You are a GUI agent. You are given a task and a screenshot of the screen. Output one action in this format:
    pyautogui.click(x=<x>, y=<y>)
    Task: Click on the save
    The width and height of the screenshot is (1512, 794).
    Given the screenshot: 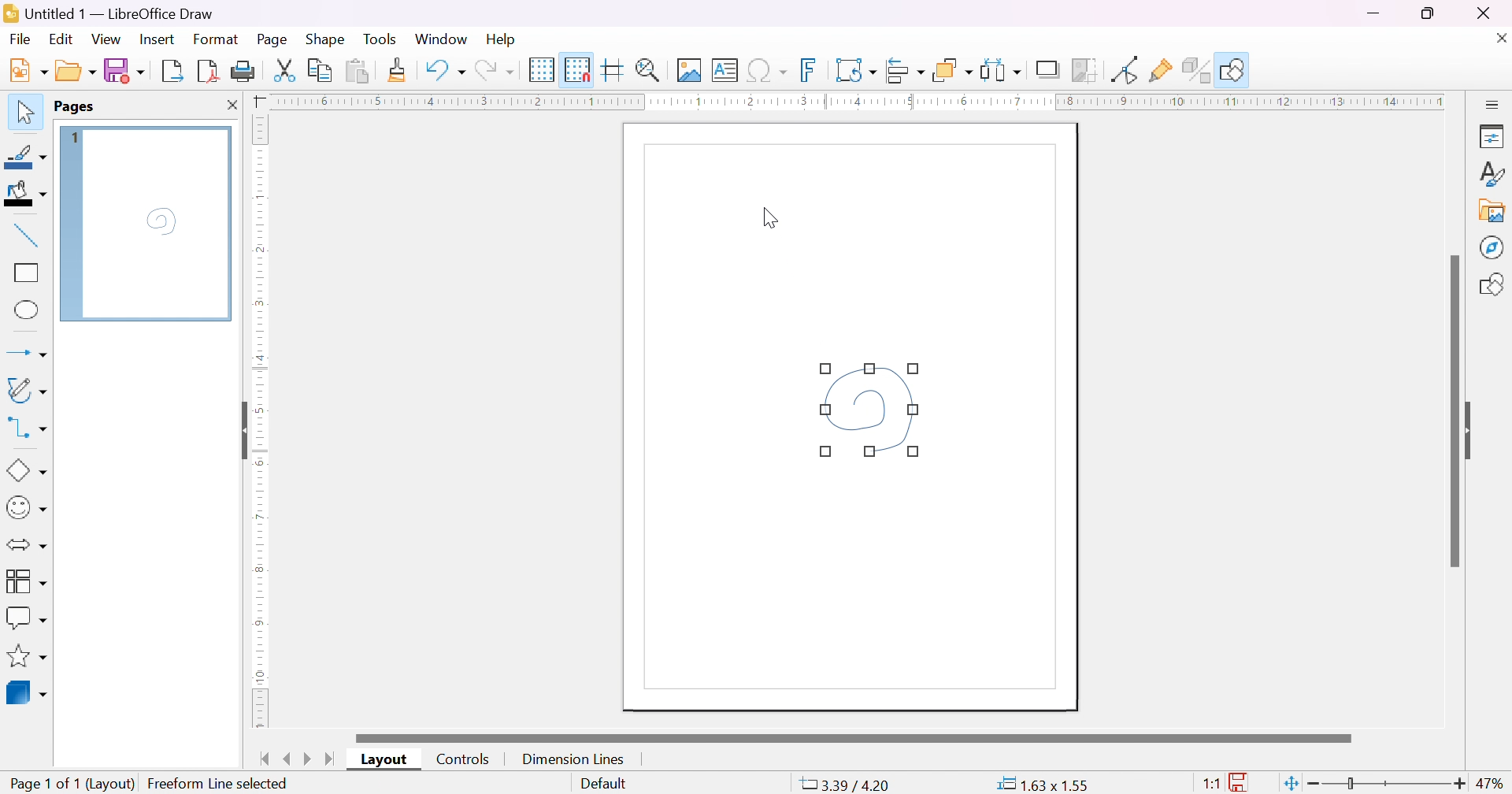 What is the action you would take?
    pyautogui.click(x=126, y=70)
    